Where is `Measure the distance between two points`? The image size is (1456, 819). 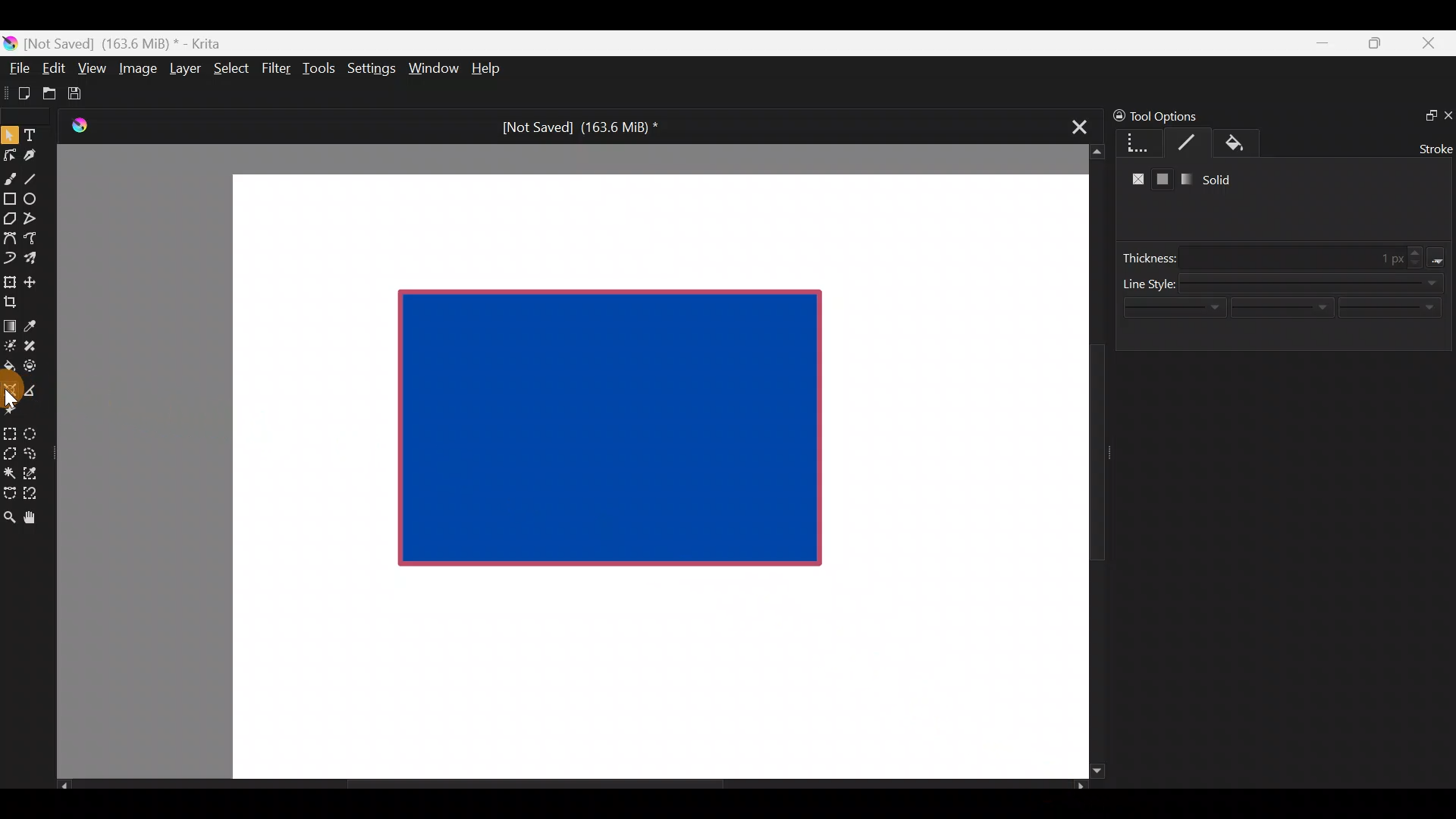 Measure the distance between two points is located at coordinates (35, 385).